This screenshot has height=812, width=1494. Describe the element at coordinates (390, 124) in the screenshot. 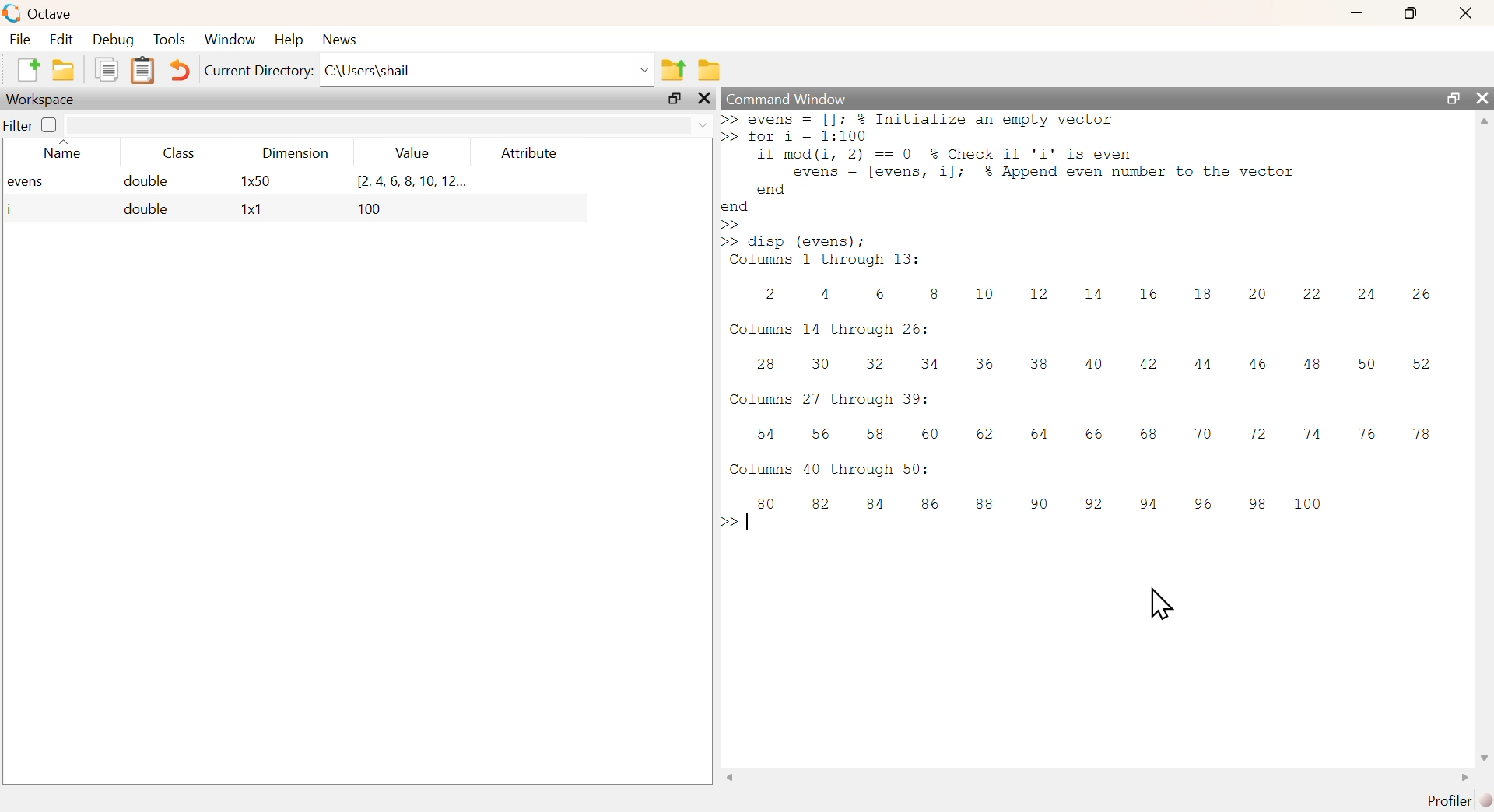

I see `filter` at that location.